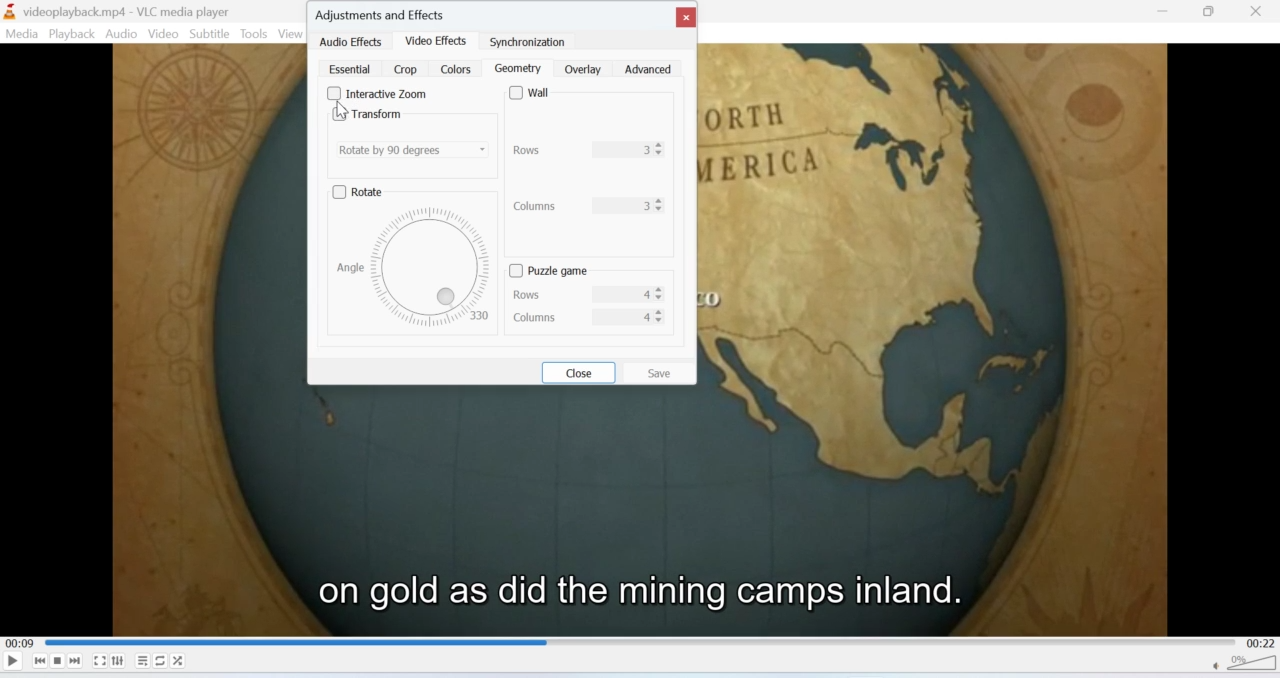  What do you see at coordinates (346, 70) in the screenshot?
I see `essential` at bounding box center [346, 70].